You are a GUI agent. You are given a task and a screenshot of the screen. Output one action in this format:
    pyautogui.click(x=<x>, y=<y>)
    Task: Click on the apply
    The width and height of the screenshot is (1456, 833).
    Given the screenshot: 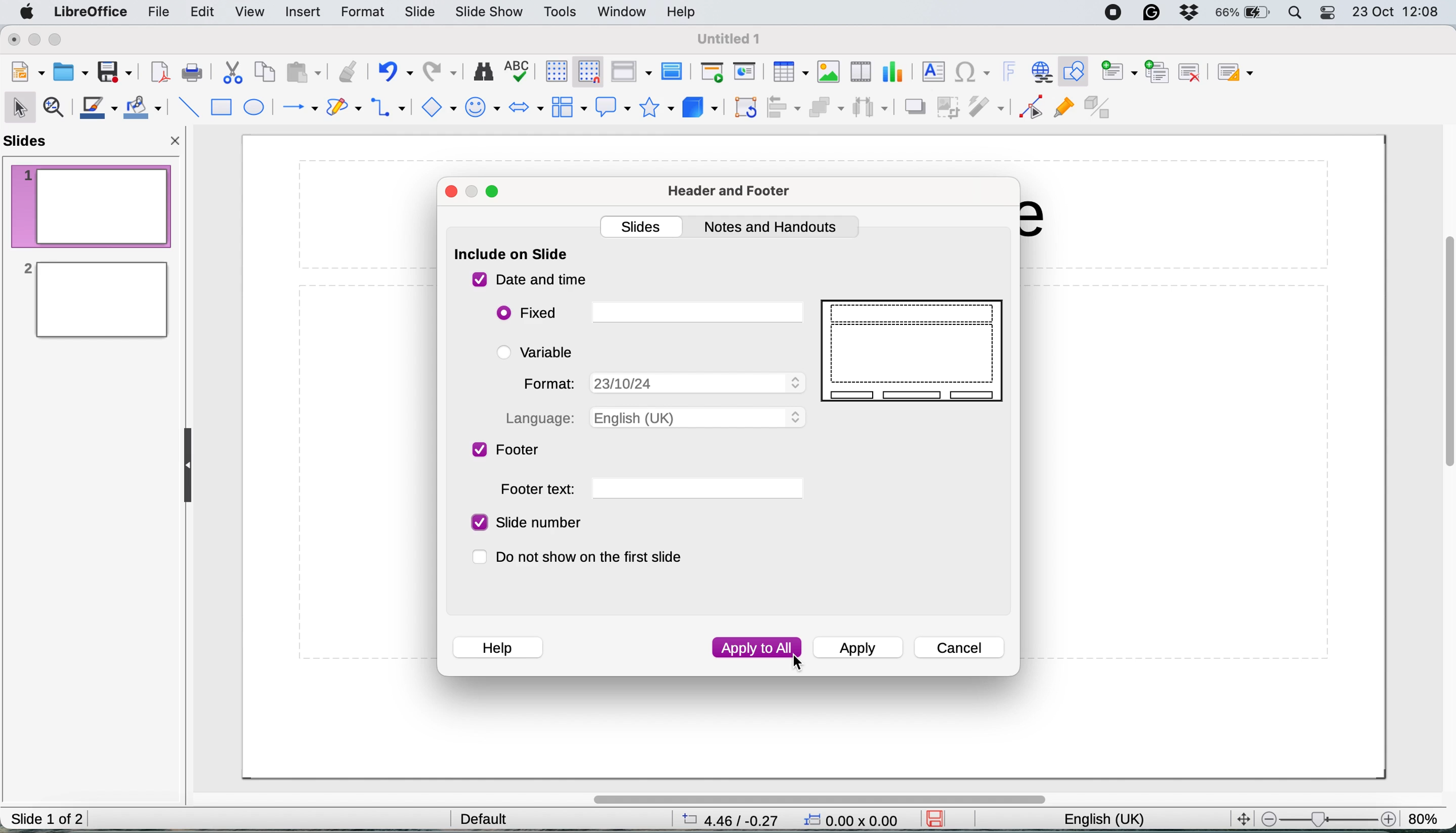 What is the action you would take?
    pyautogui.click(x=861, y=649)
    